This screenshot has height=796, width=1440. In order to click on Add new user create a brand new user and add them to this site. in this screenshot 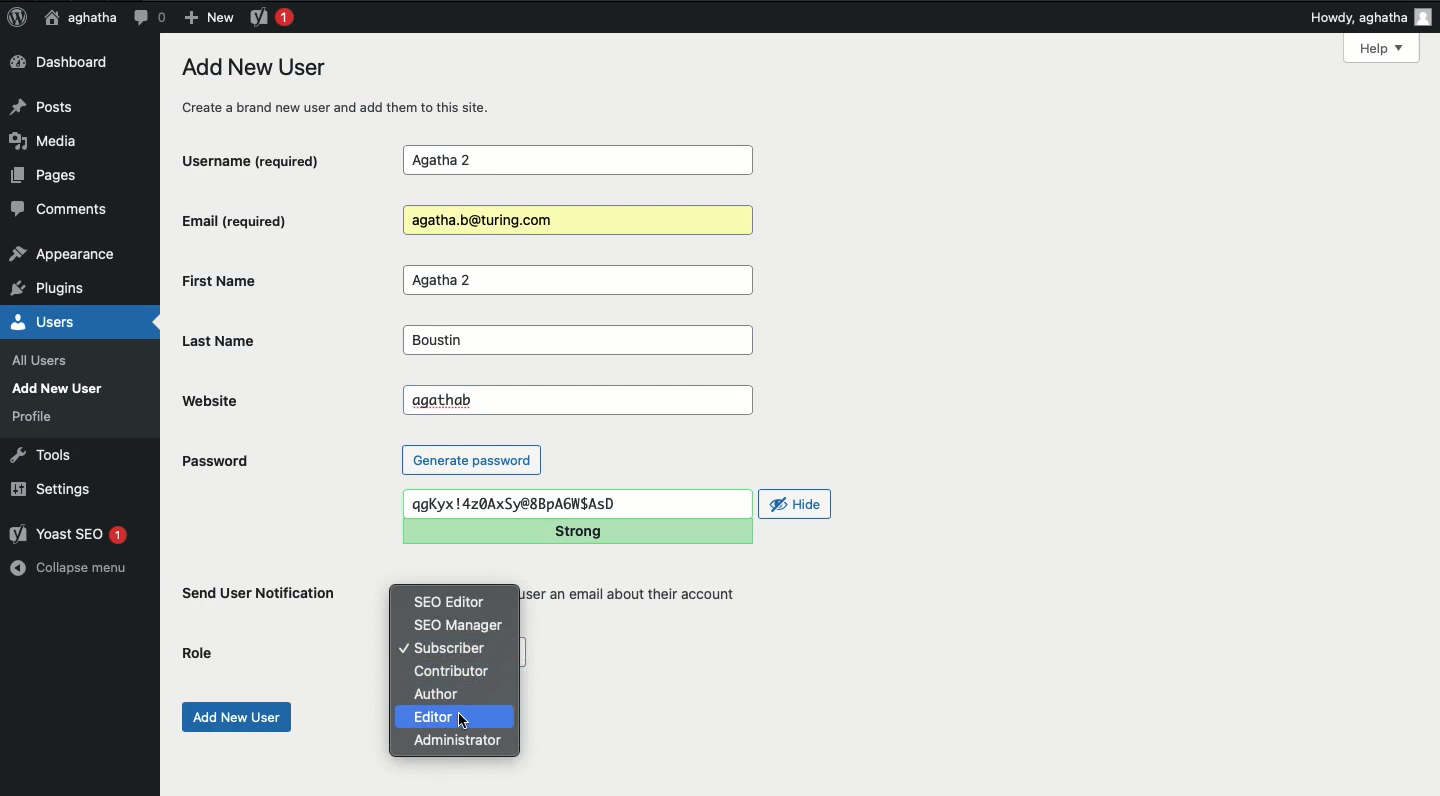, I will do `click(347, 86)`.